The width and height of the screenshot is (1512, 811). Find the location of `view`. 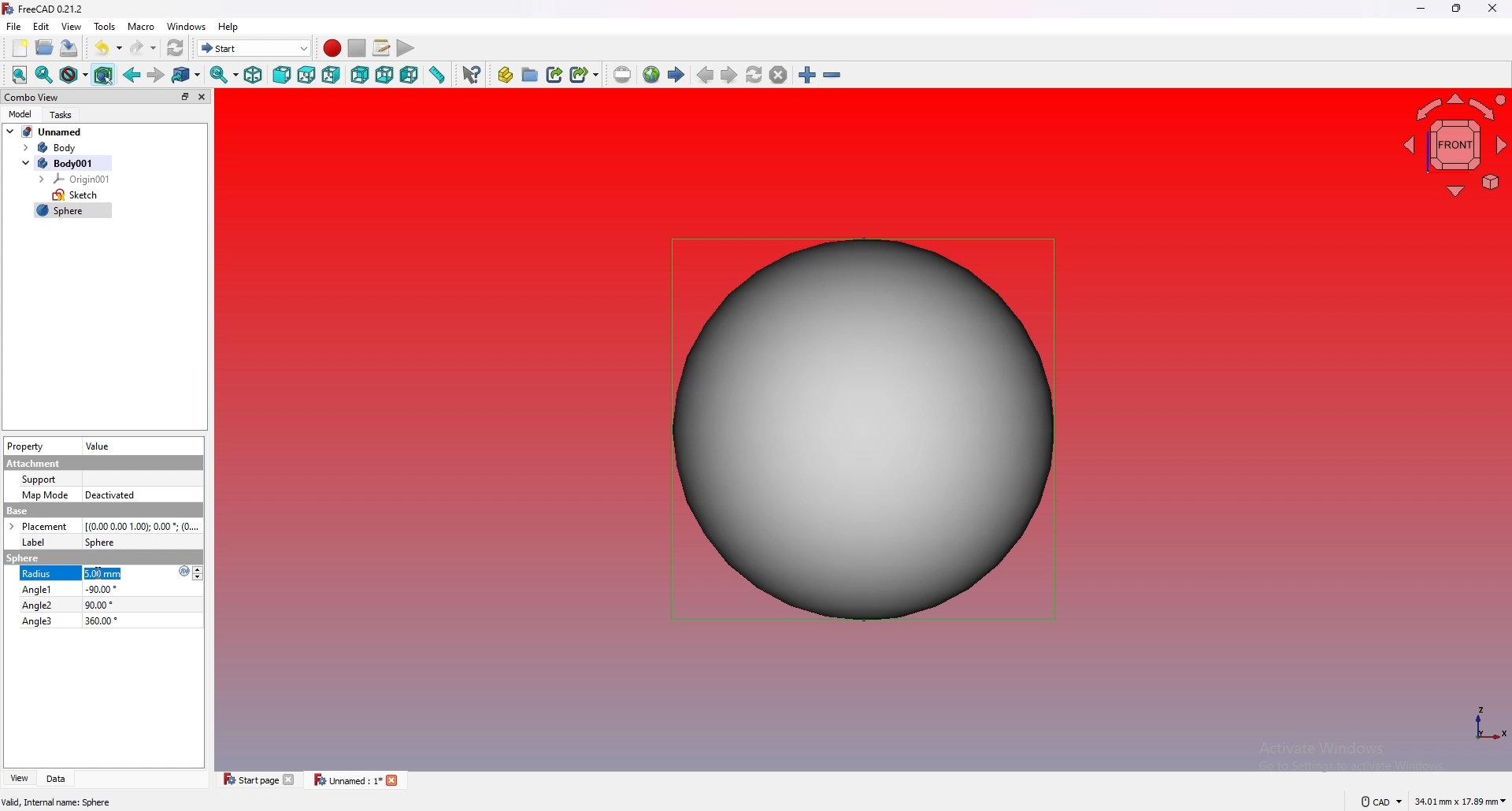

view is located at coordinates (17, 779).